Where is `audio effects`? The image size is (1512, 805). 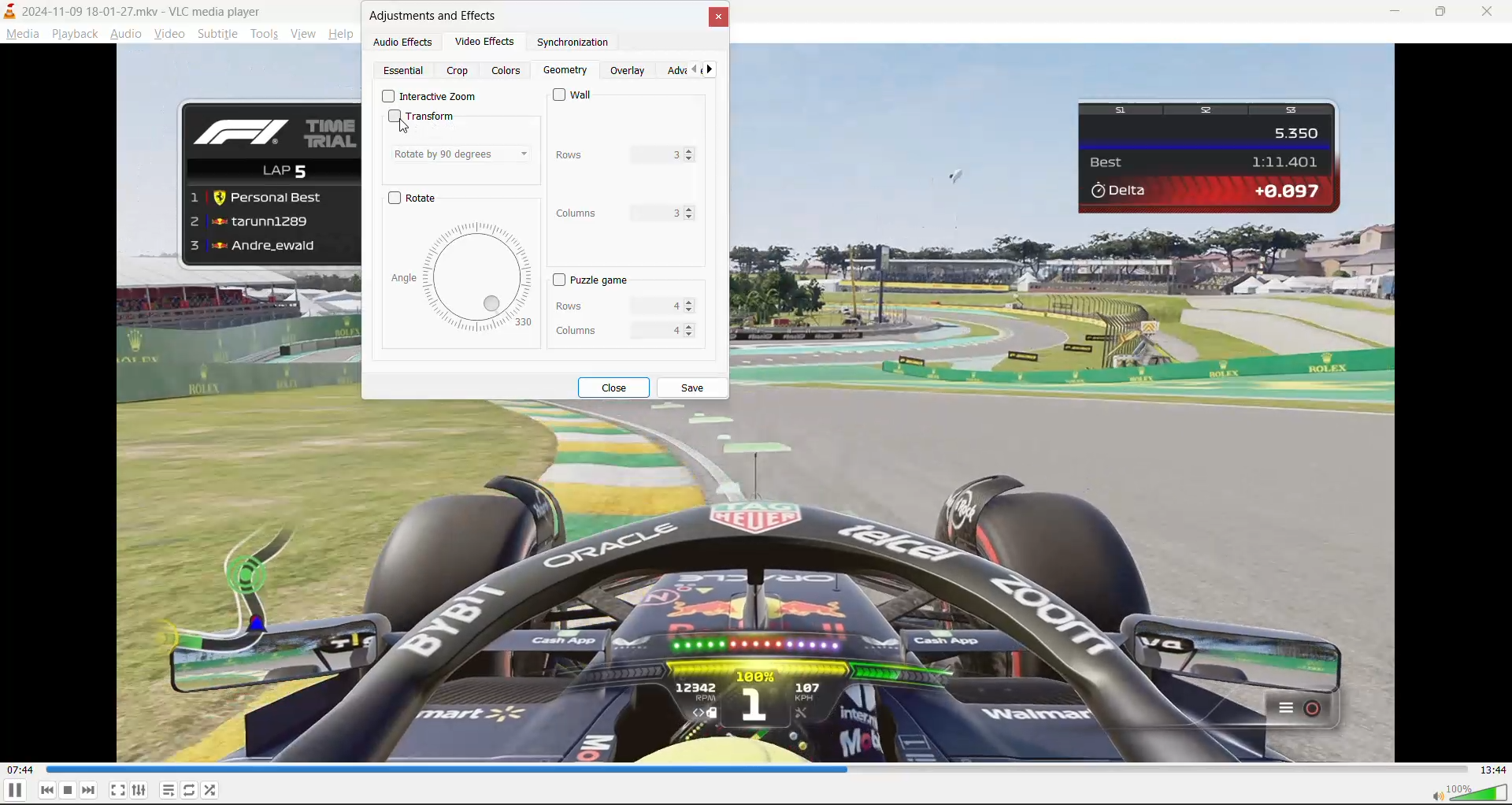 audio effects is located at coordinates (403, 41).